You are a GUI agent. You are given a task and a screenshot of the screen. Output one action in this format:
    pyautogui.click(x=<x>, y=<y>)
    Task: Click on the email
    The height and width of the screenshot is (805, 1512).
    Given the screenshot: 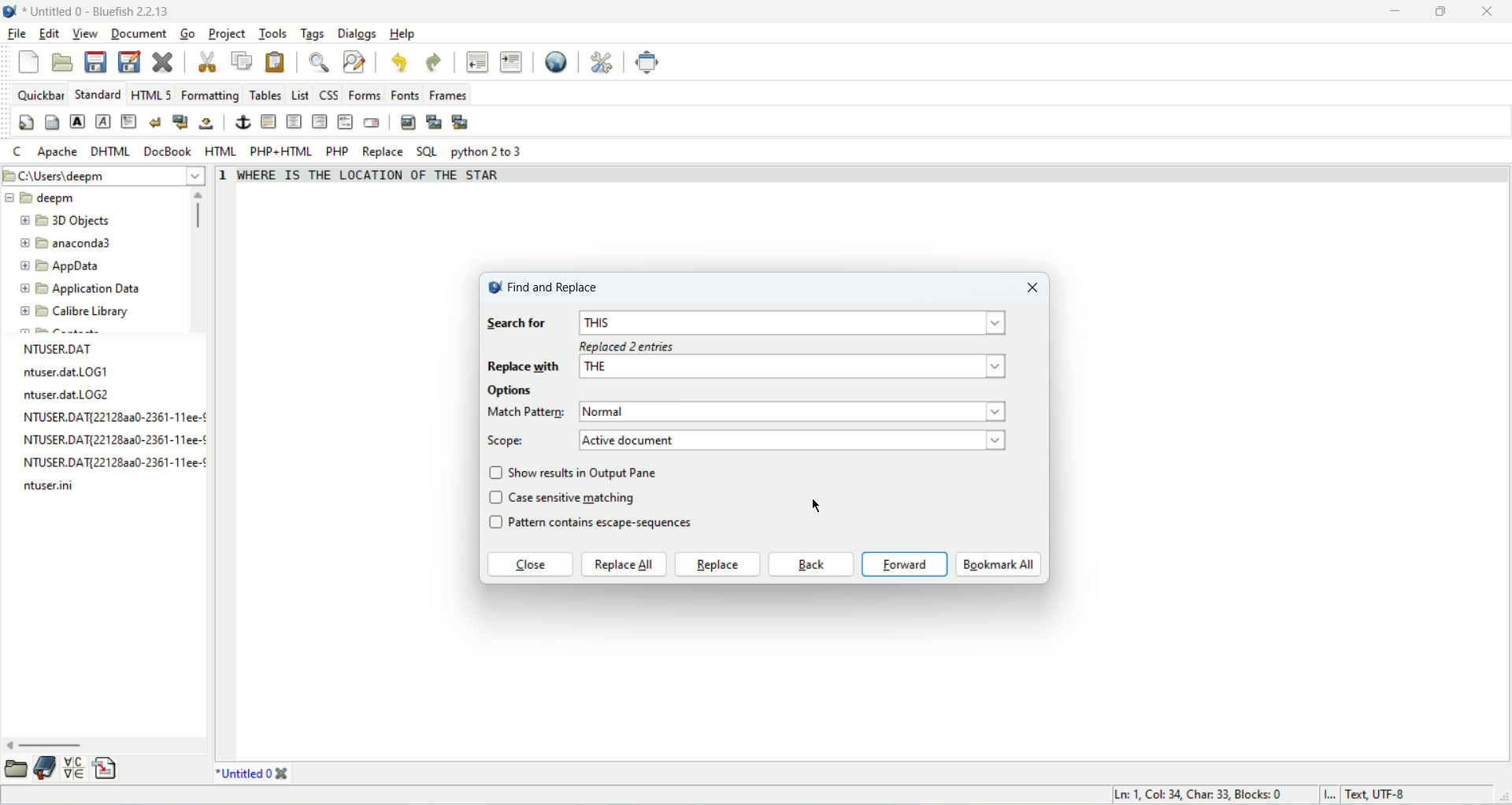 What is the action you would take?
    pyautogui.click(x=372, y=122)
    